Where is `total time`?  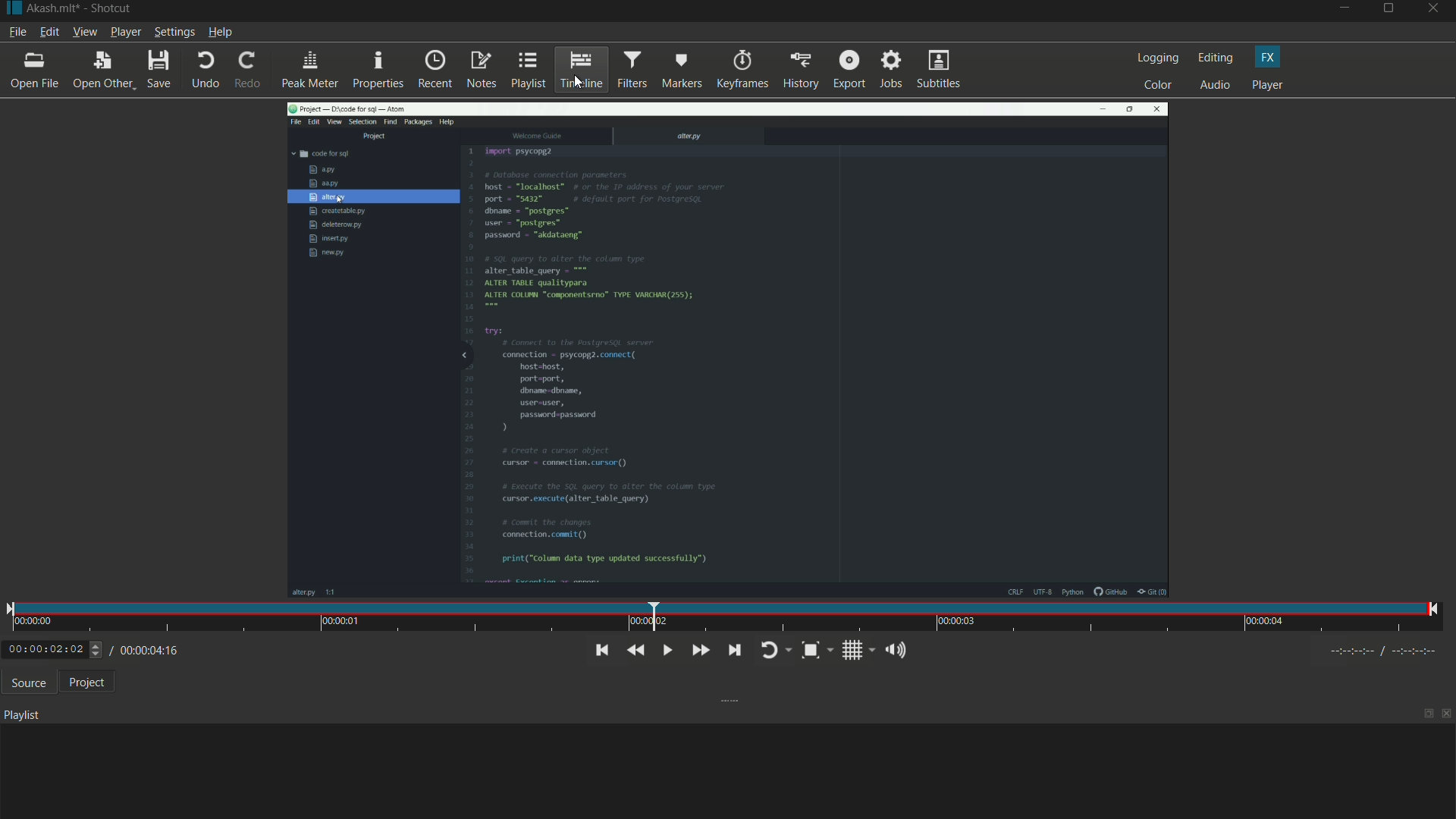
total time is located at coordinates (168, 692).